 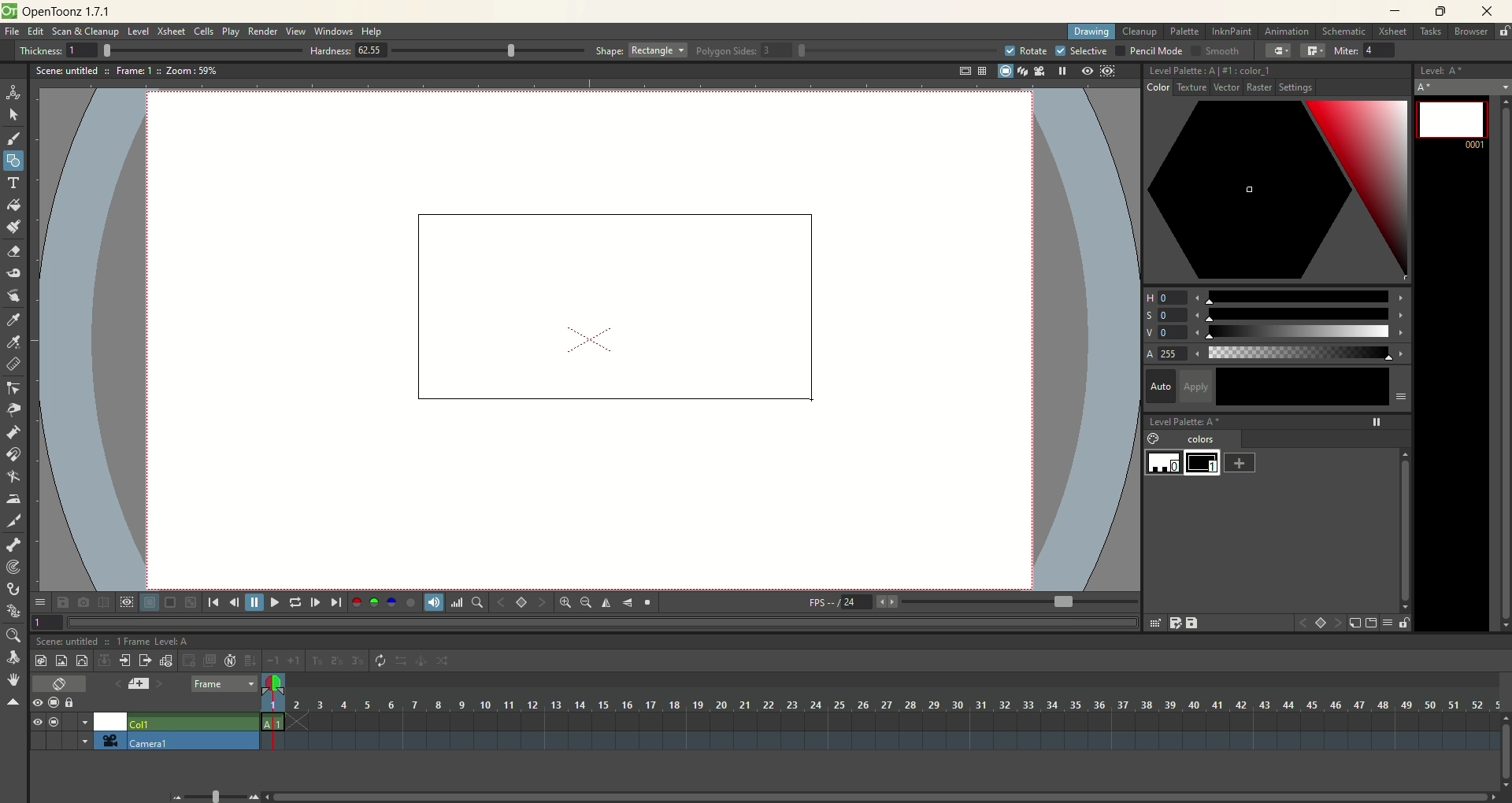 I want to click on green channel, so click(x=375, y=602).